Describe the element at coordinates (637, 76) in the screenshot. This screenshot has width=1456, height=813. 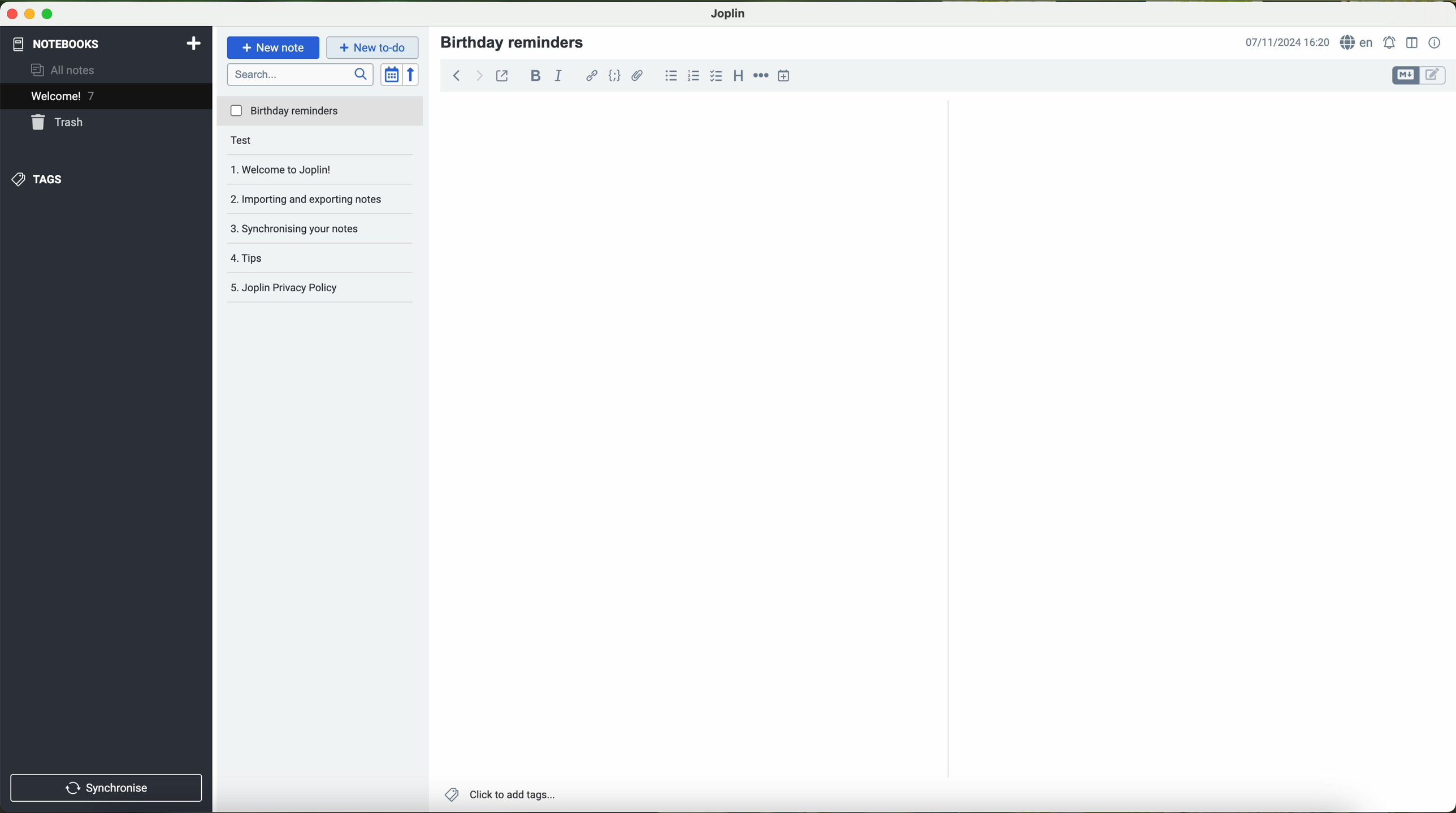
I see `attach file` at that location.